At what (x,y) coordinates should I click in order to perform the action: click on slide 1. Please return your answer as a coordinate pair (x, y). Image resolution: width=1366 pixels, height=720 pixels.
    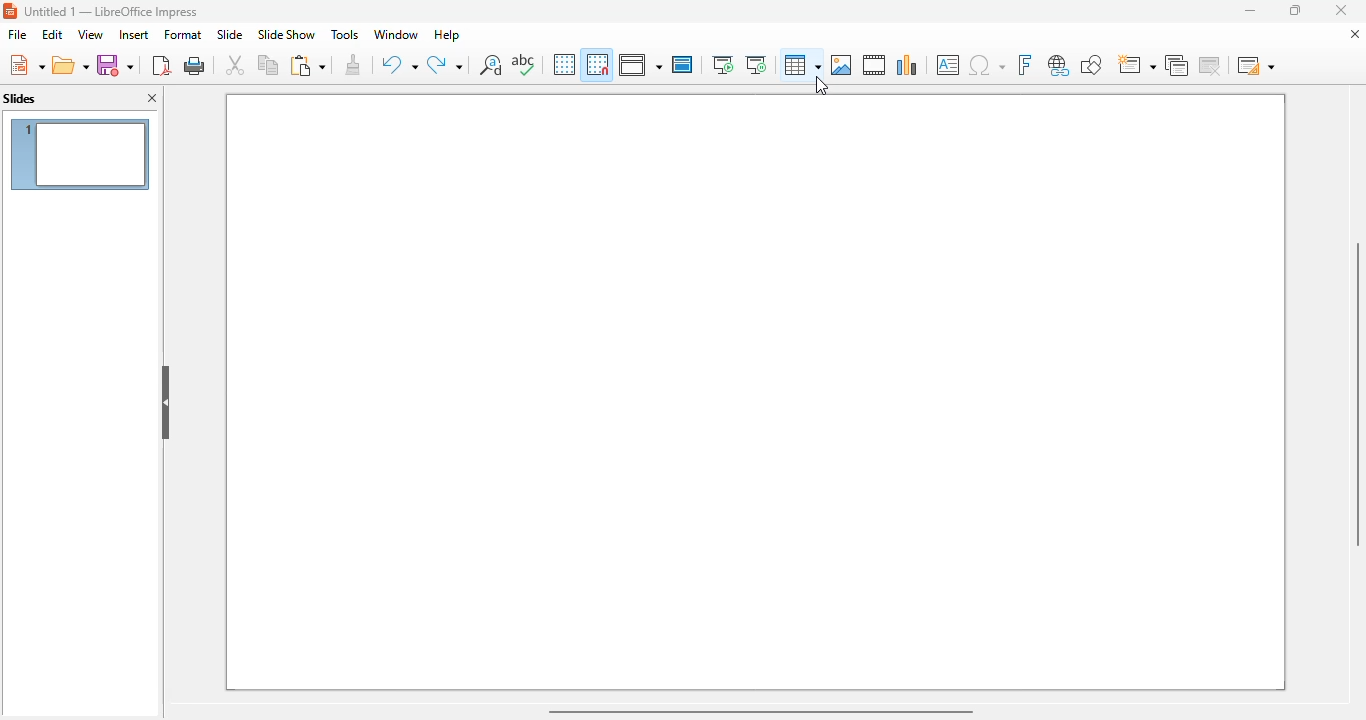
    Looking at the image, I should click on (756, 392).